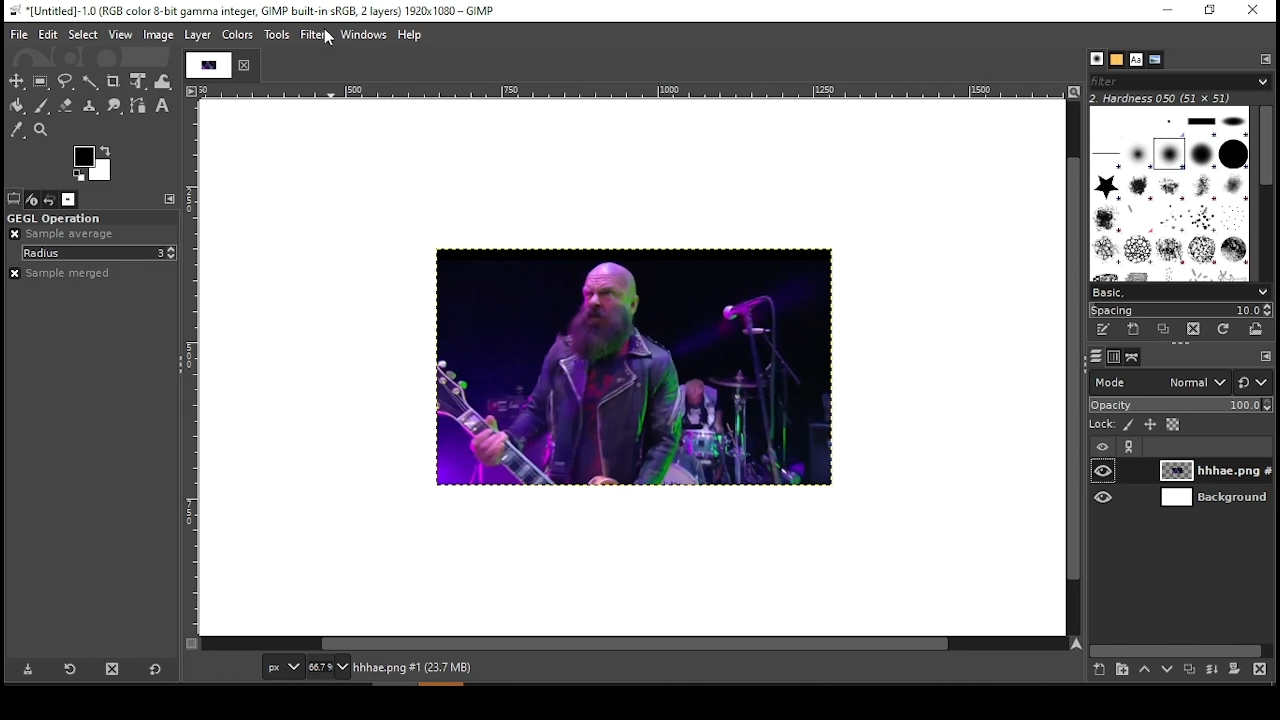 Image resolution: width=1280 pixels, height=720 pixels. What do you see at coordinates (1100, 425) in the screenshot?
I see `lock` at bounding box center [1100, 425].